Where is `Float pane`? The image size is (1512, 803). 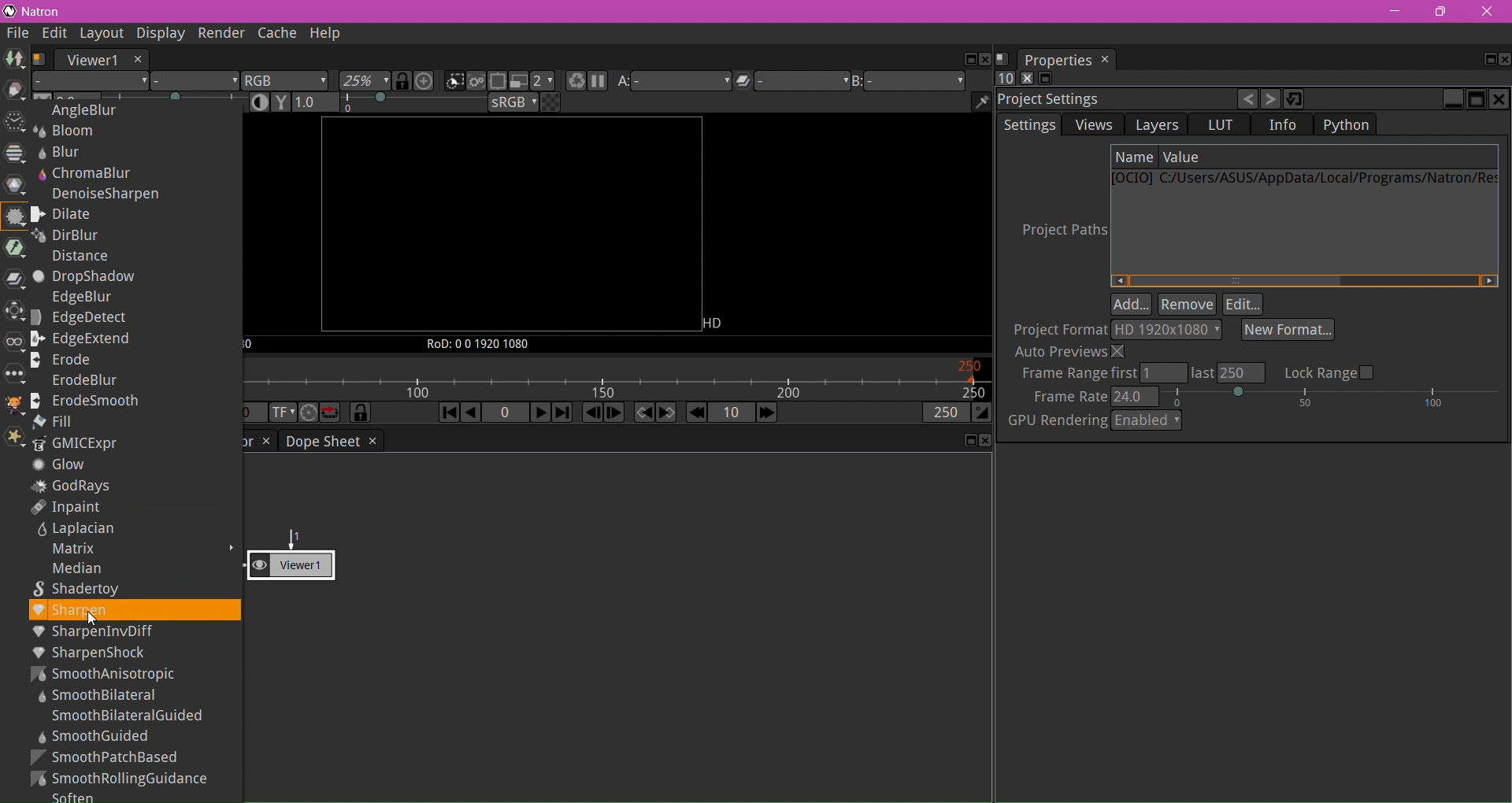
Float pane is located at coordinates (1484, 60).